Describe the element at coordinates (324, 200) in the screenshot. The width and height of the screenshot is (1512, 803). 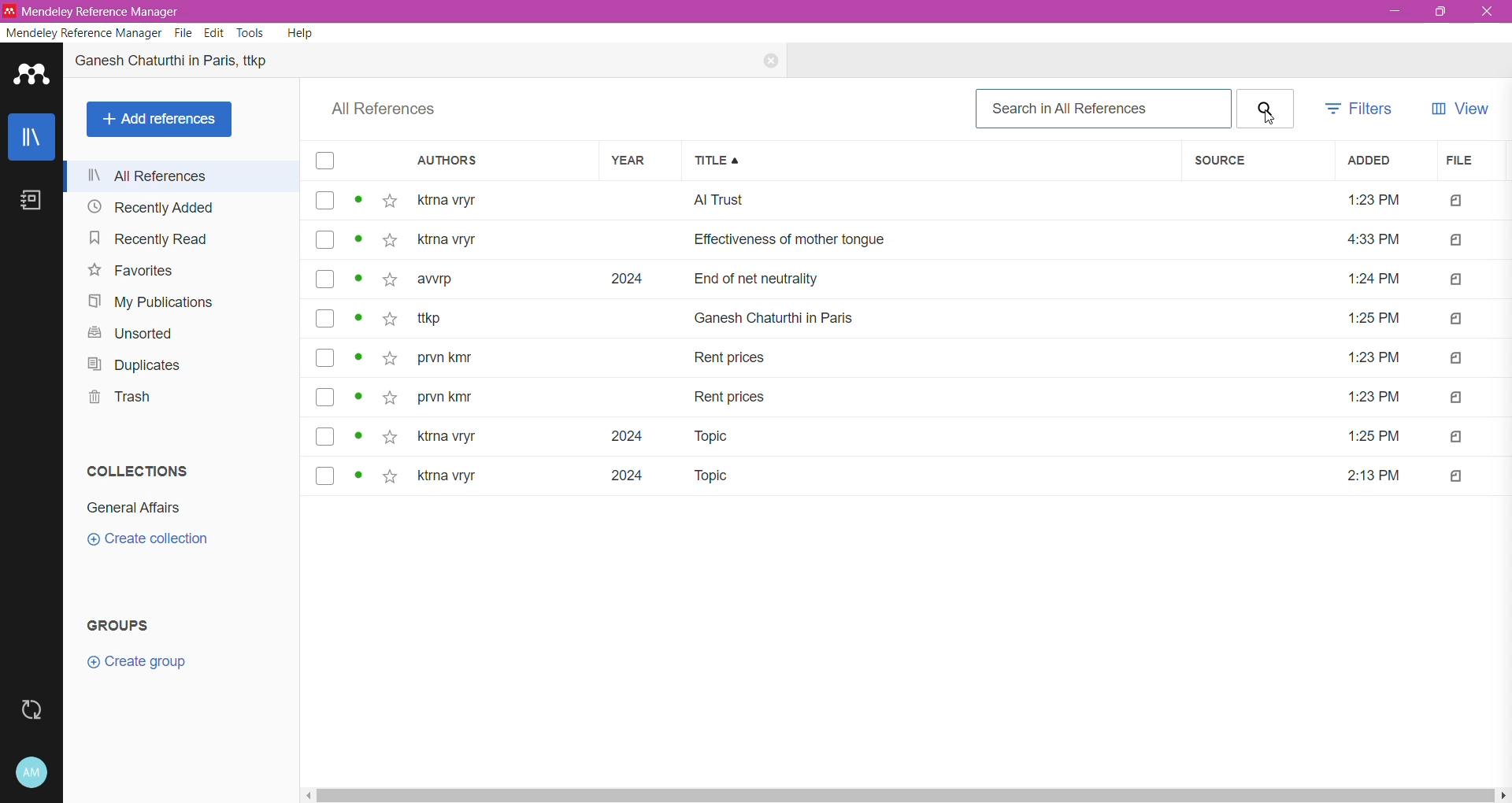
I see `select reference ` at that location.